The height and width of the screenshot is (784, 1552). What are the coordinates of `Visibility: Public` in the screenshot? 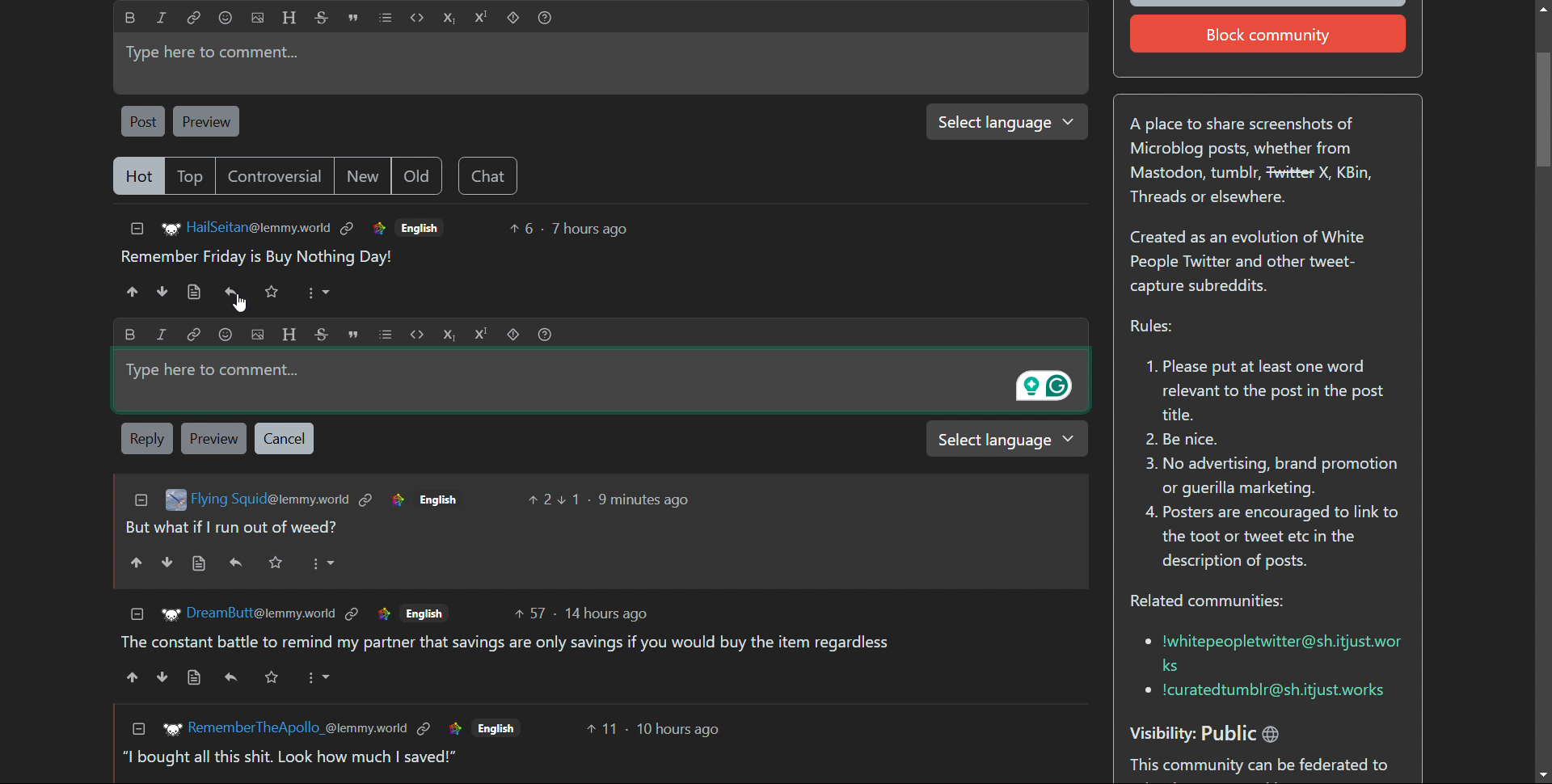 It's located at (1225, 728).